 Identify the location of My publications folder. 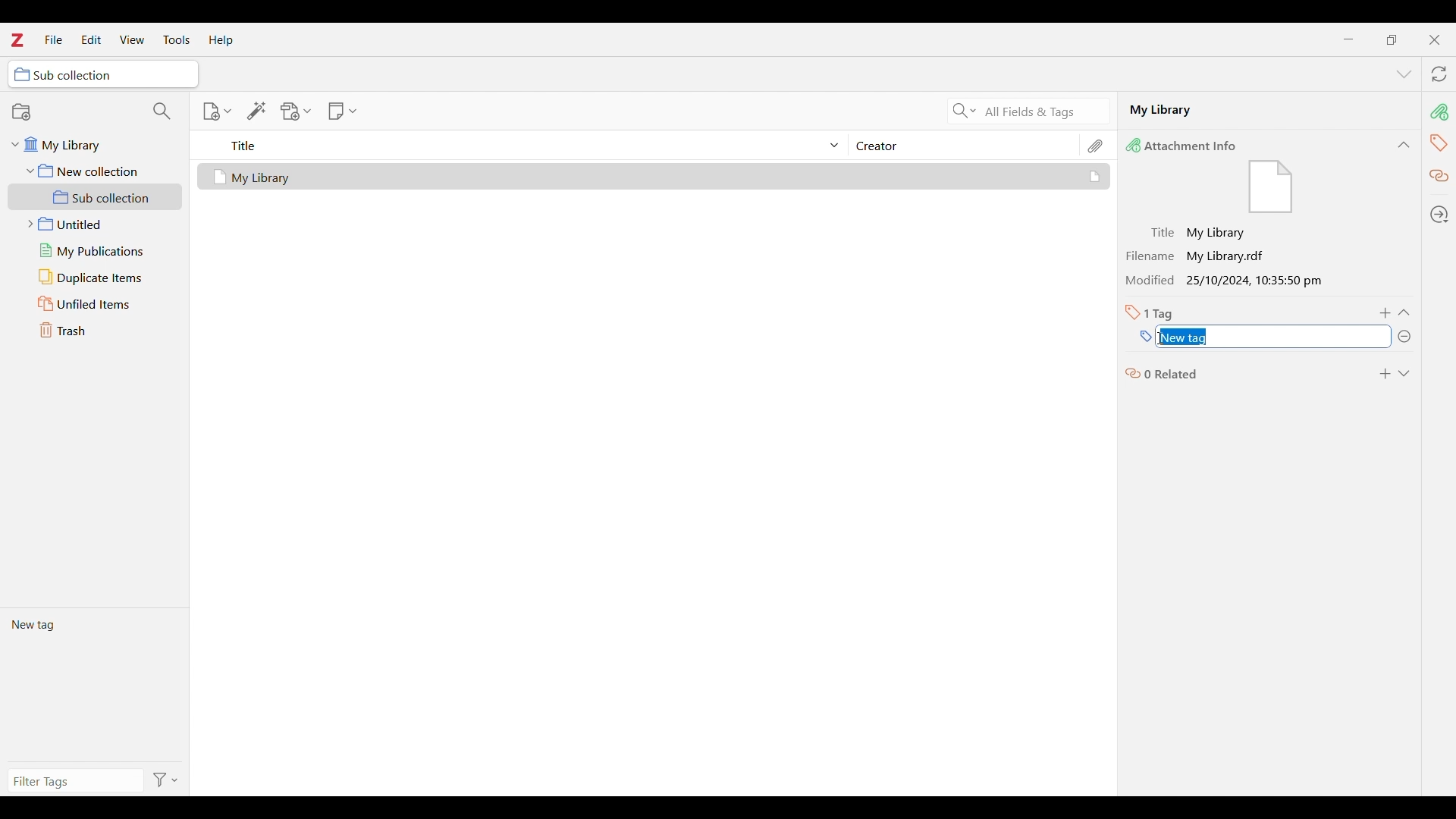
(94, 250).